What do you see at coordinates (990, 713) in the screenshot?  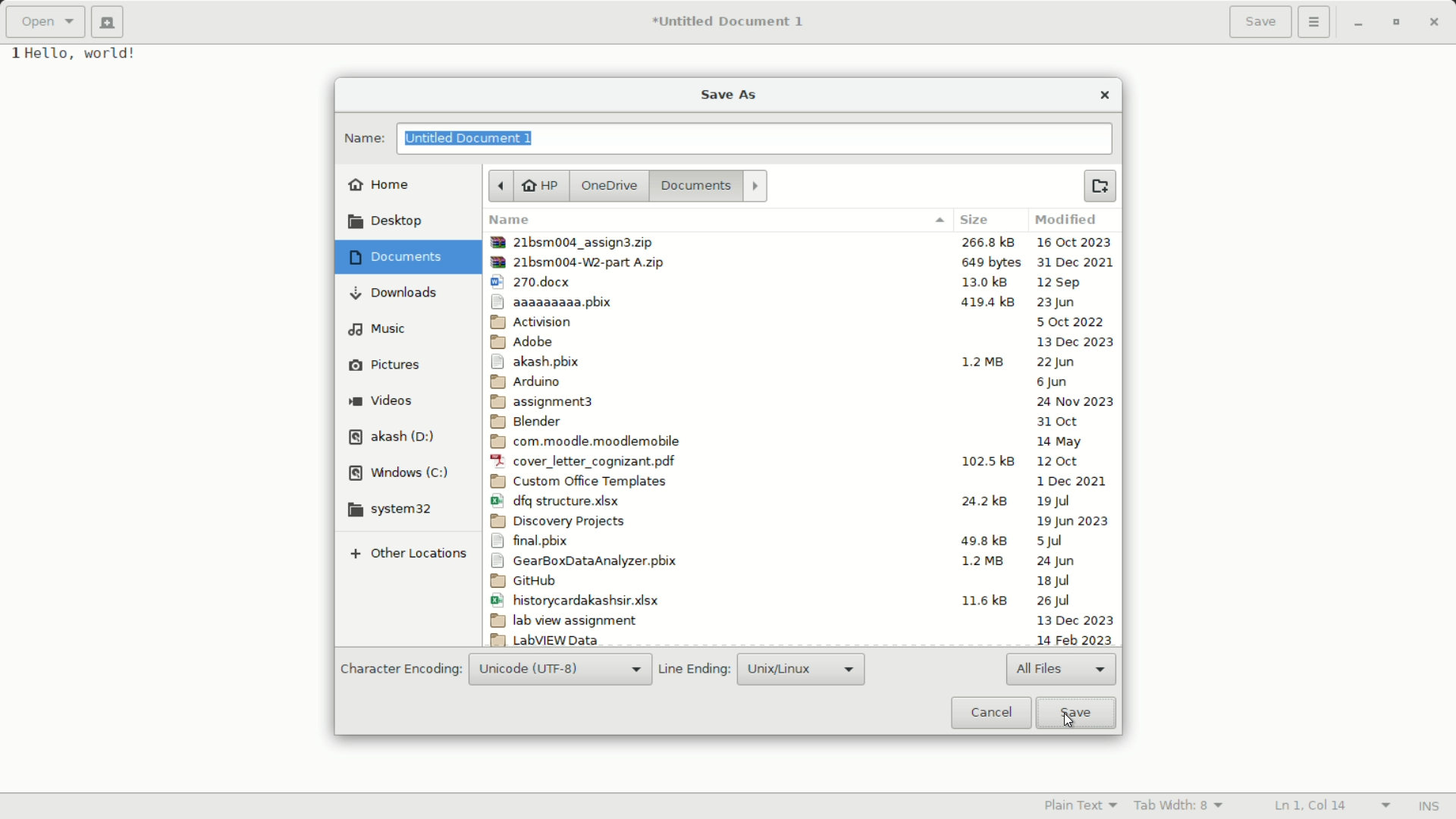 I see `cancel` at bounding box center [990, 713].